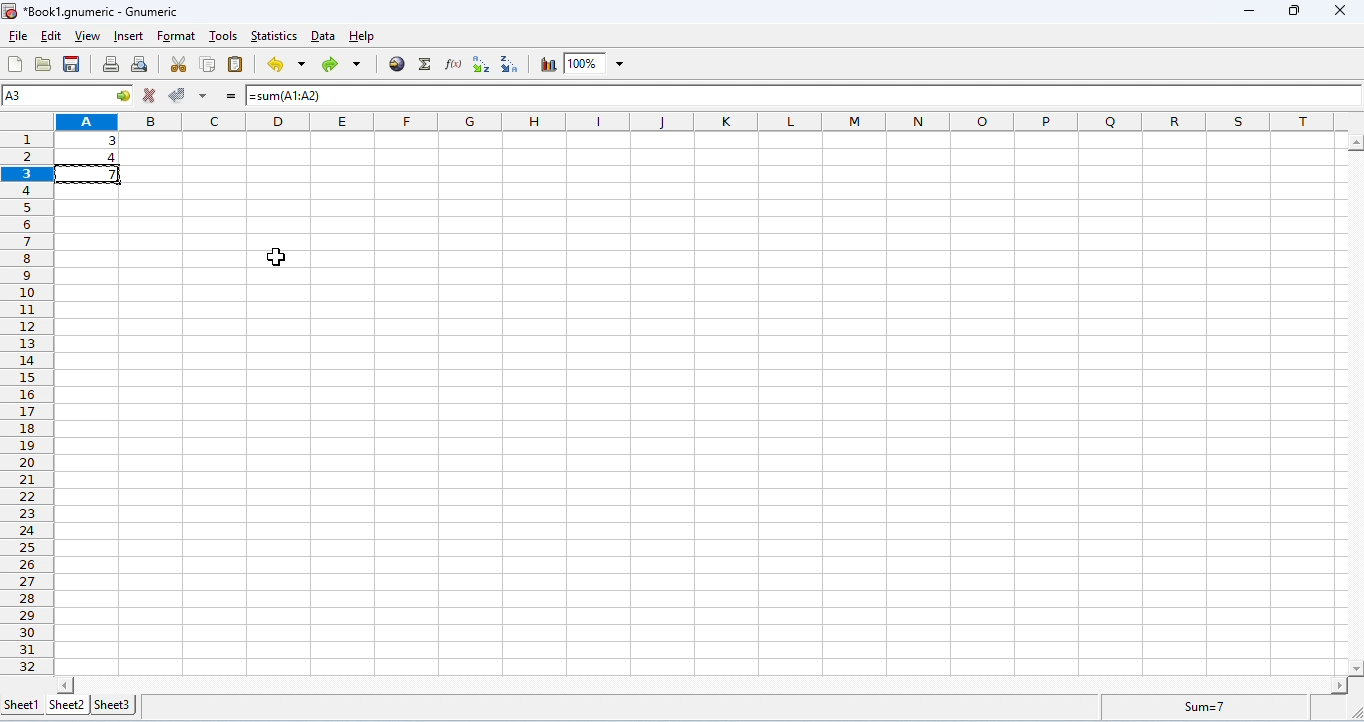 This screenshot has height=722, width=1364. What do you see at coordinates (94, 13) in the screenshot?
I see `Book1.gnumeric - Gnumeric` at bounding box center [94, 13].